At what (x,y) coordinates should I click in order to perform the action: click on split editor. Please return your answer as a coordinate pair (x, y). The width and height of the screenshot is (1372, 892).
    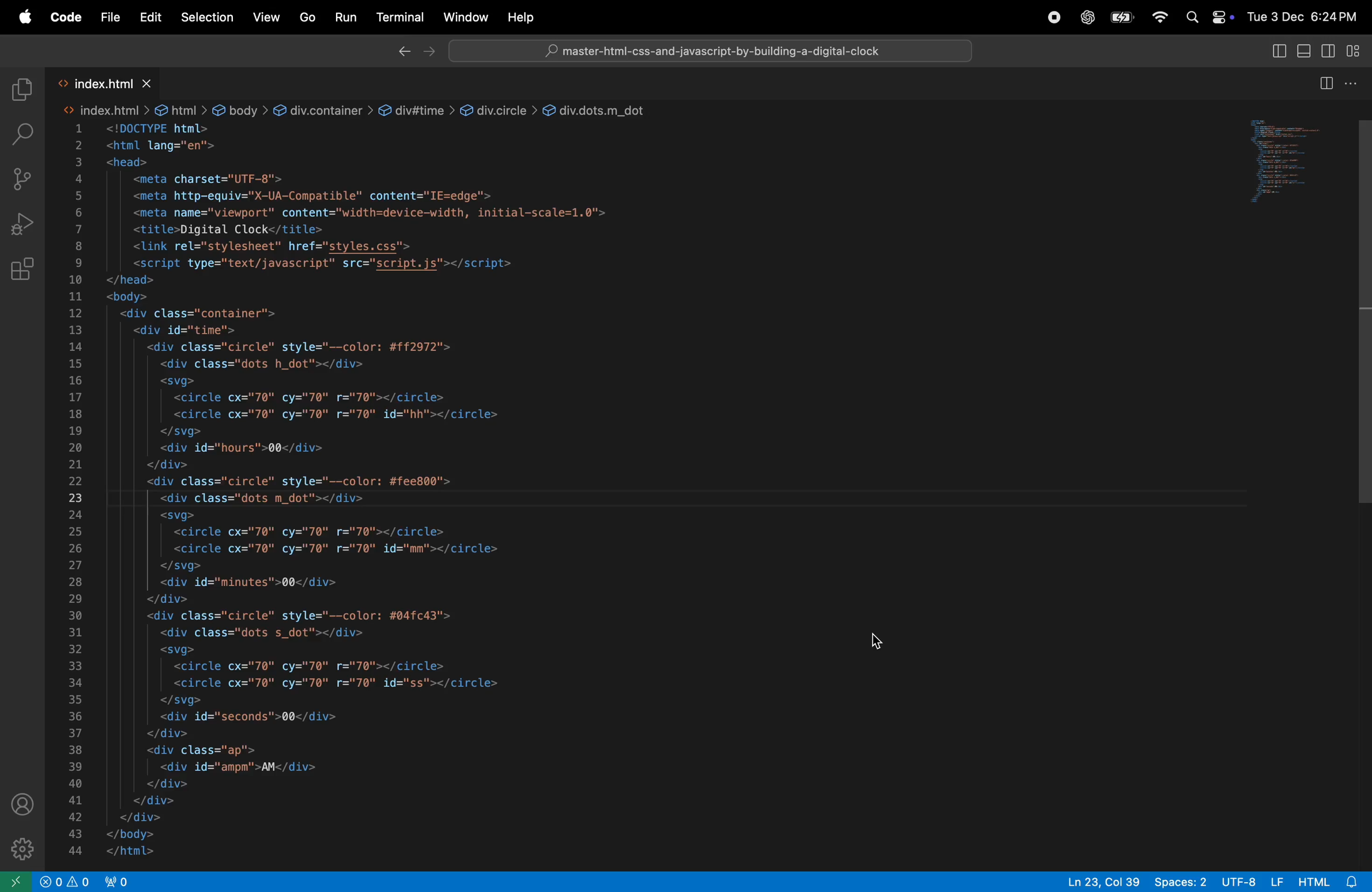
    Looking at the image, I should click on (1339, 84).